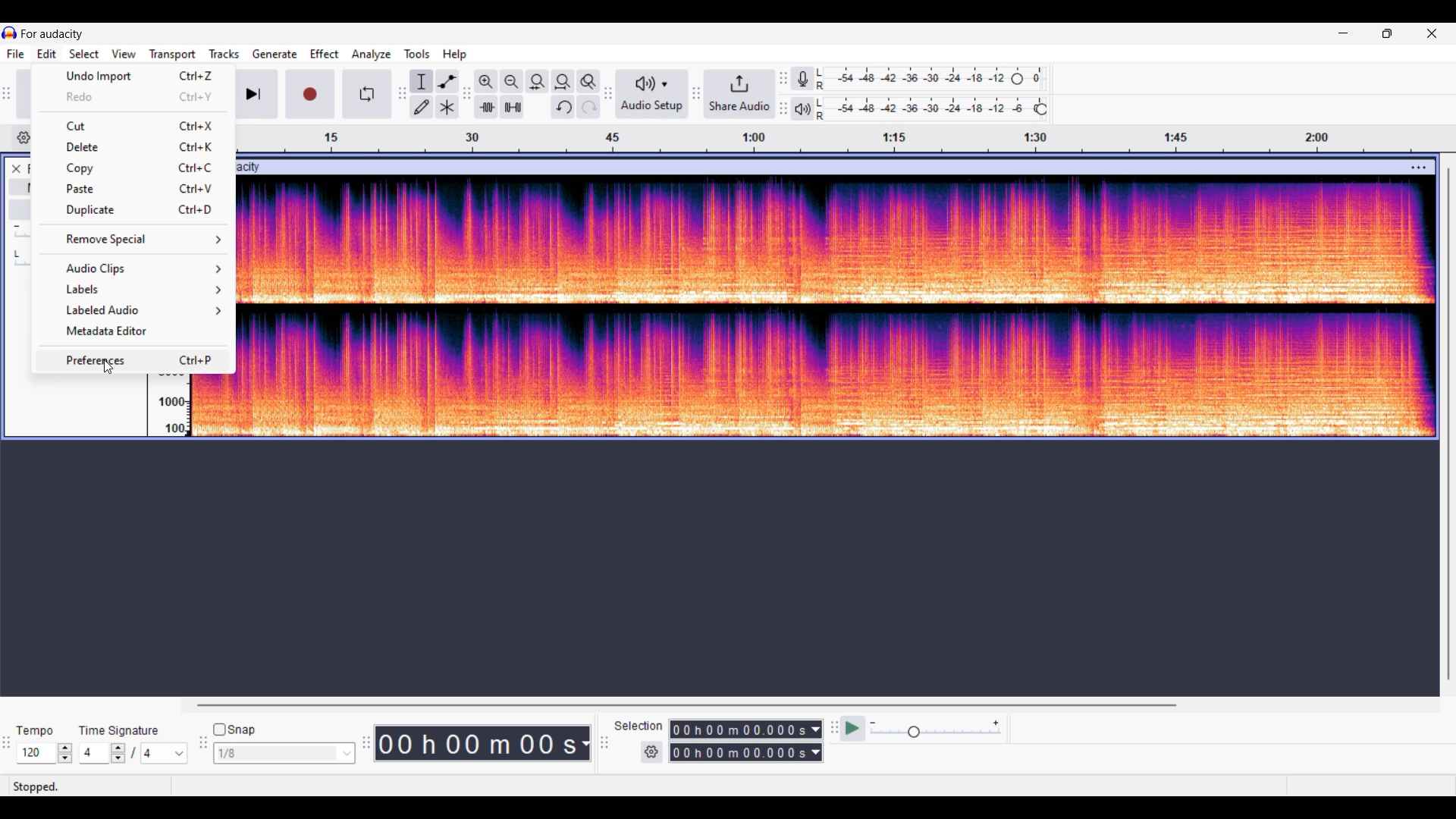 Image resolution: width=1456 pixels, height=819 pixels. I want to click on Indicates selection duration, so click(639, 726).